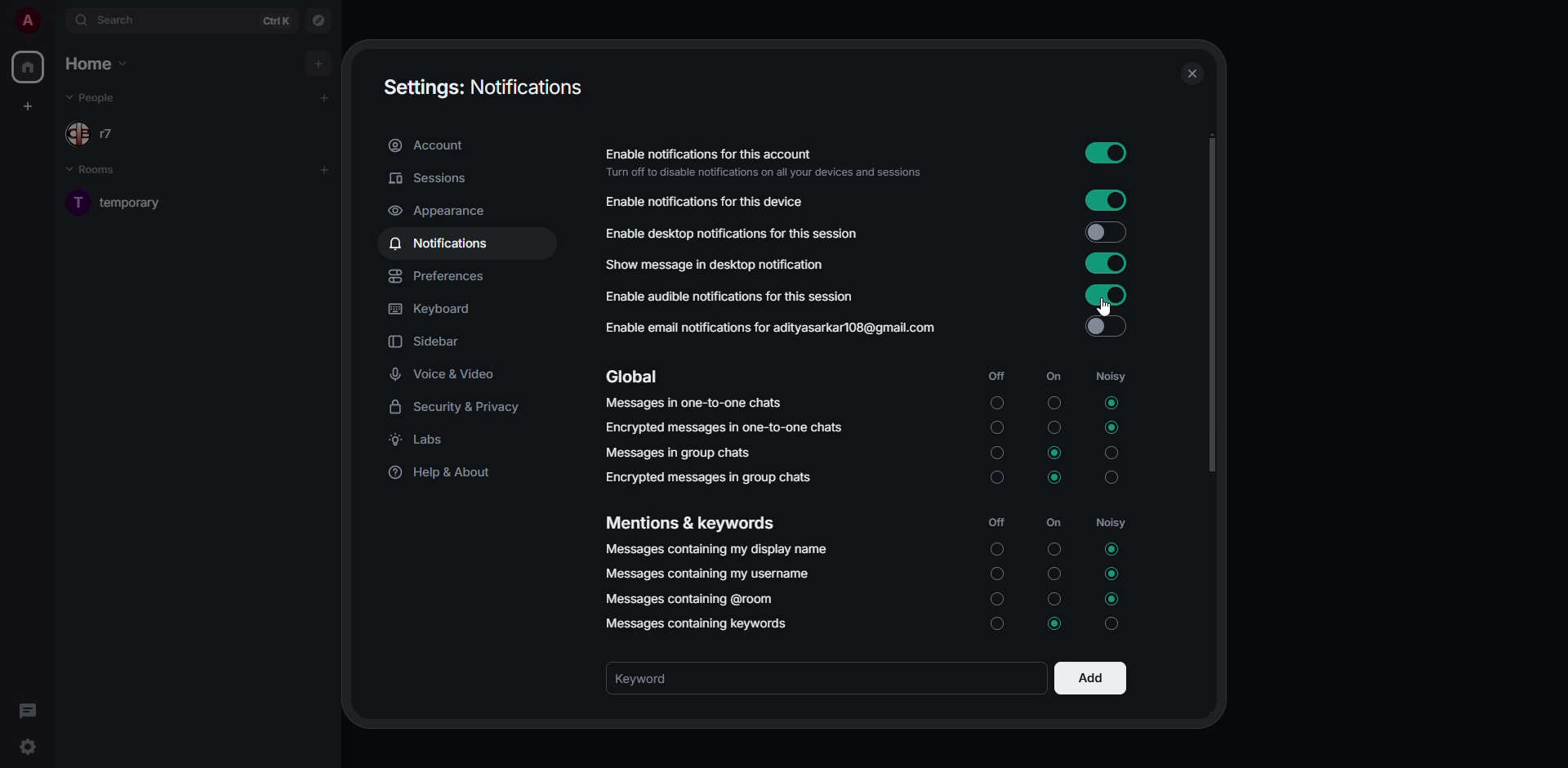 This screenshot has height=768, width=1568. What do you see at coordinates (421, 444) in the screenshot?
I see `labs` at bounding box center [421, 444].